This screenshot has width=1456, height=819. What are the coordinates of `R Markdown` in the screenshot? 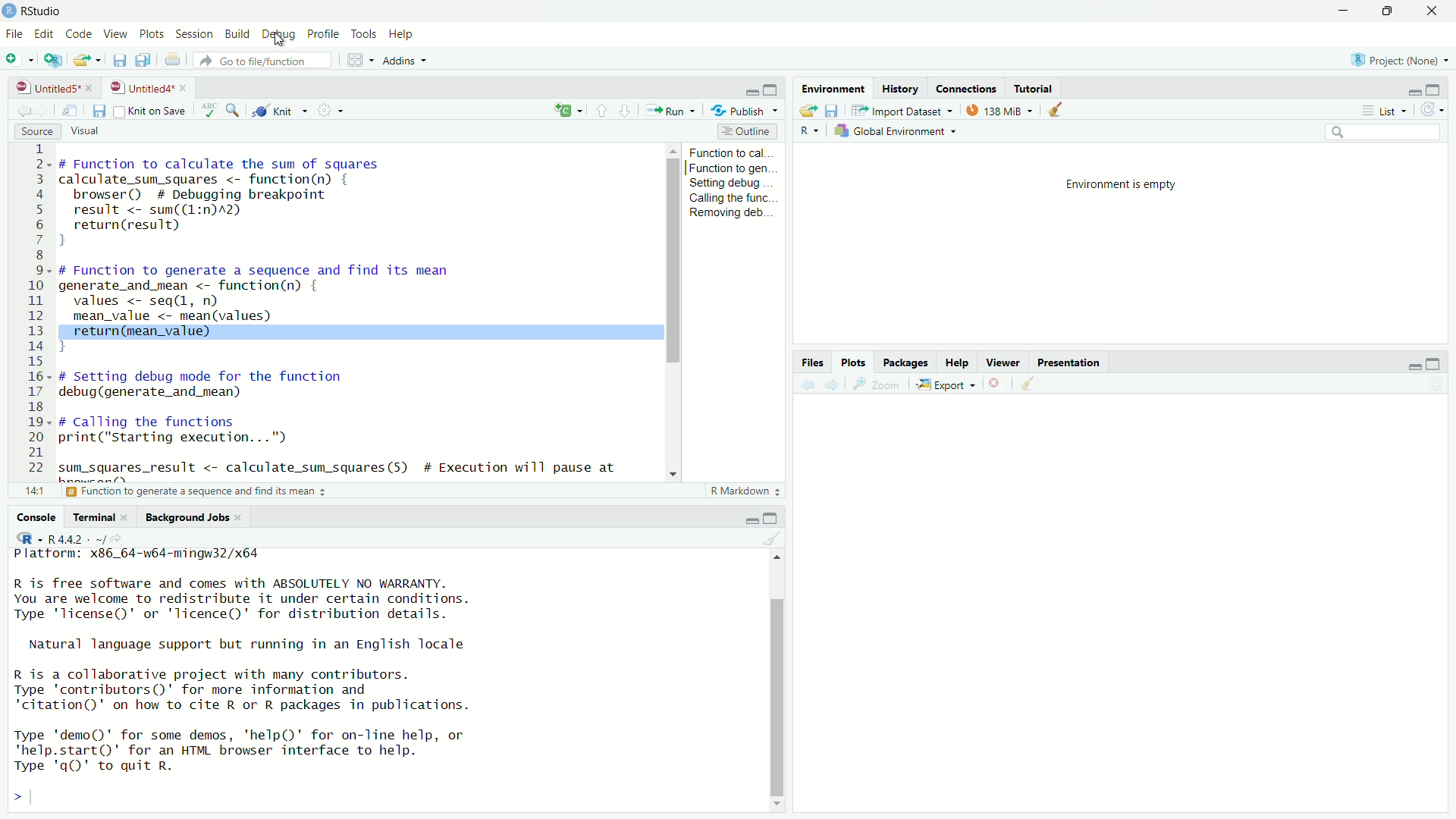 It's located at (741, 488).